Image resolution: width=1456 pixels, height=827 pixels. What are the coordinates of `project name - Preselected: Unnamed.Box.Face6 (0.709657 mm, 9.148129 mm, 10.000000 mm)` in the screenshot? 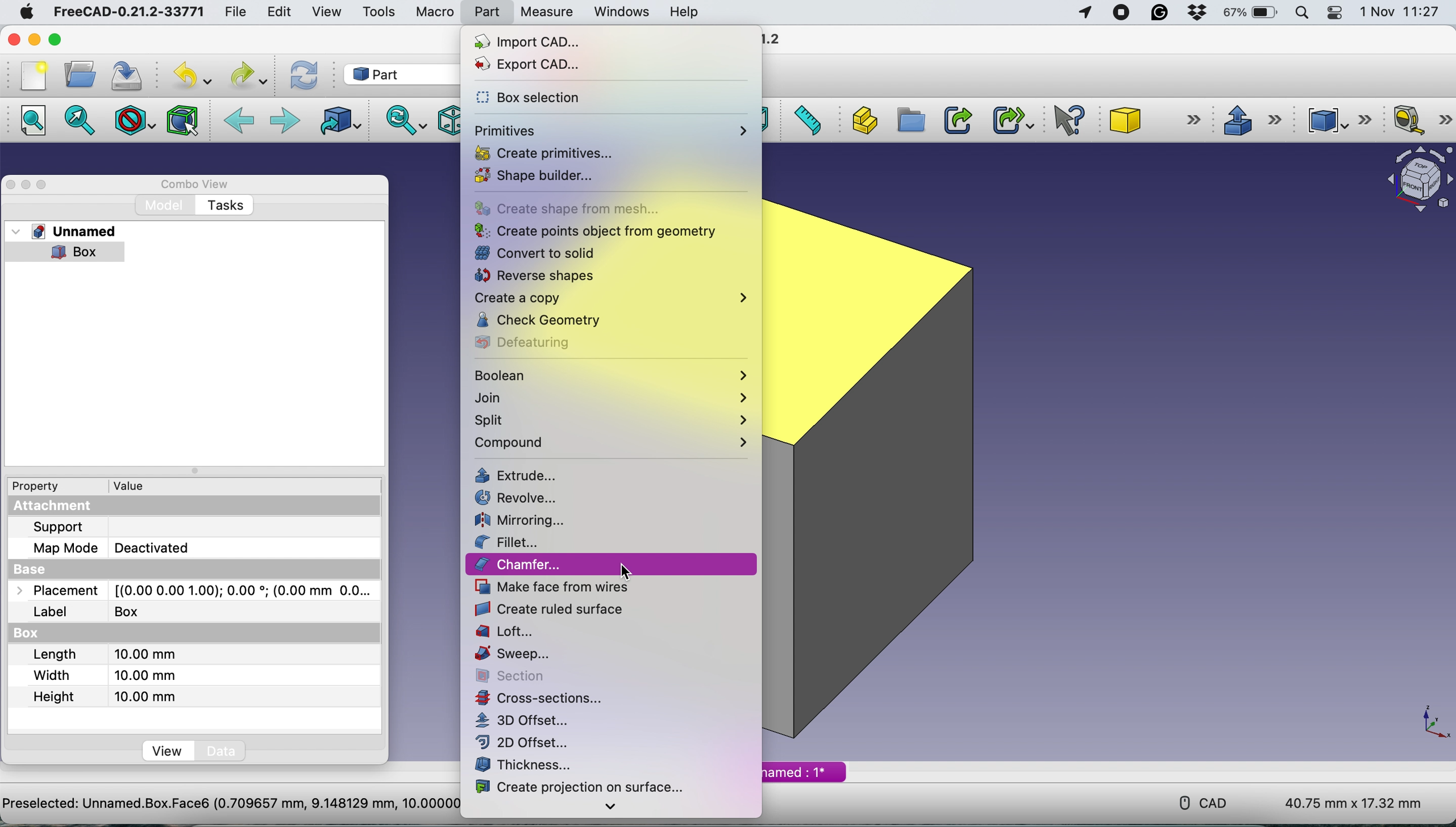 It's located at (231, 804).